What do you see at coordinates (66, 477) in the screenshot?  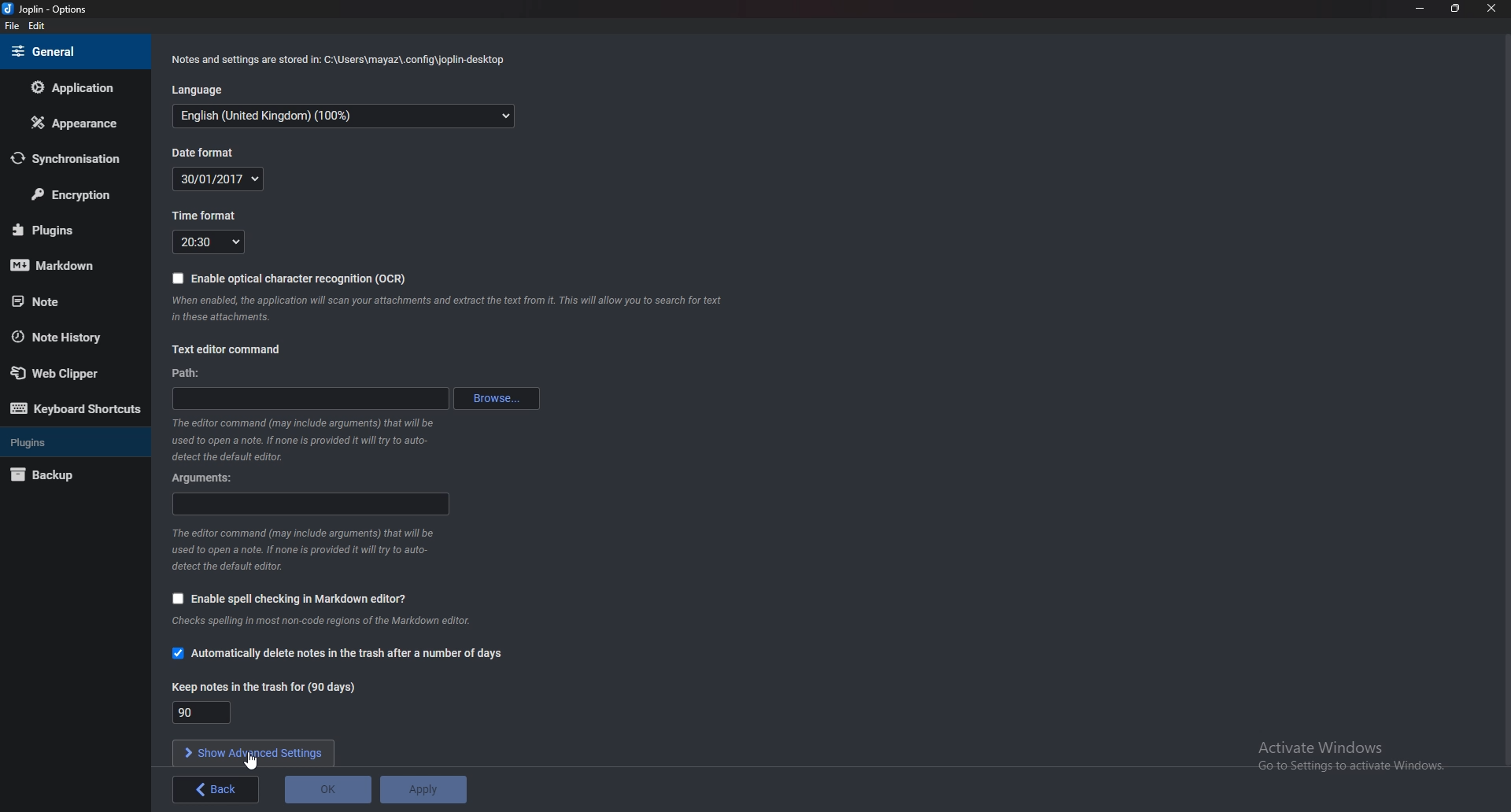 I see `Back up` at bounding box center [66, 477].